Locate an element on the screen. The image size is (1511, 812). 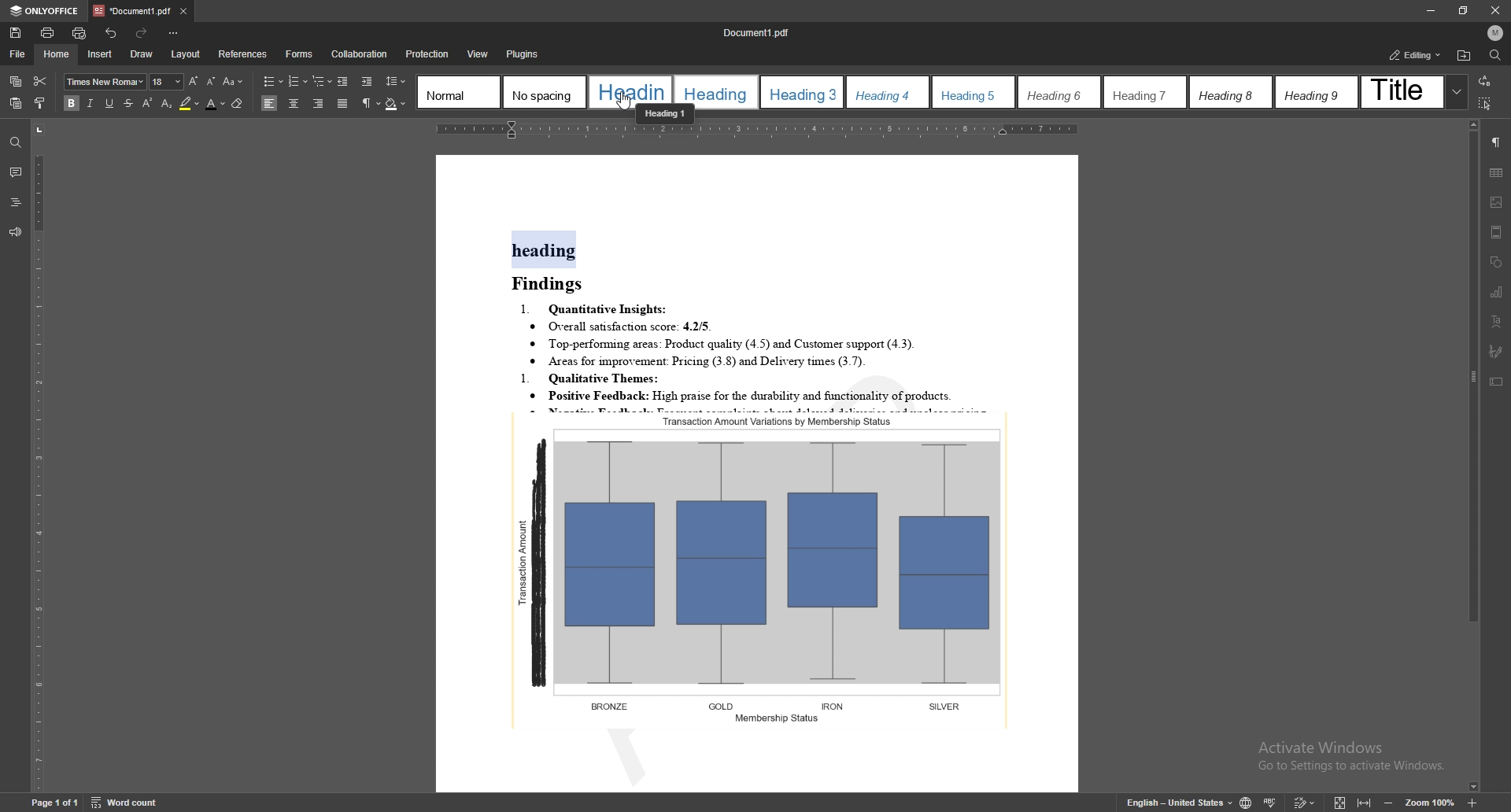
zoom out is located at coordinates (1391, 803).